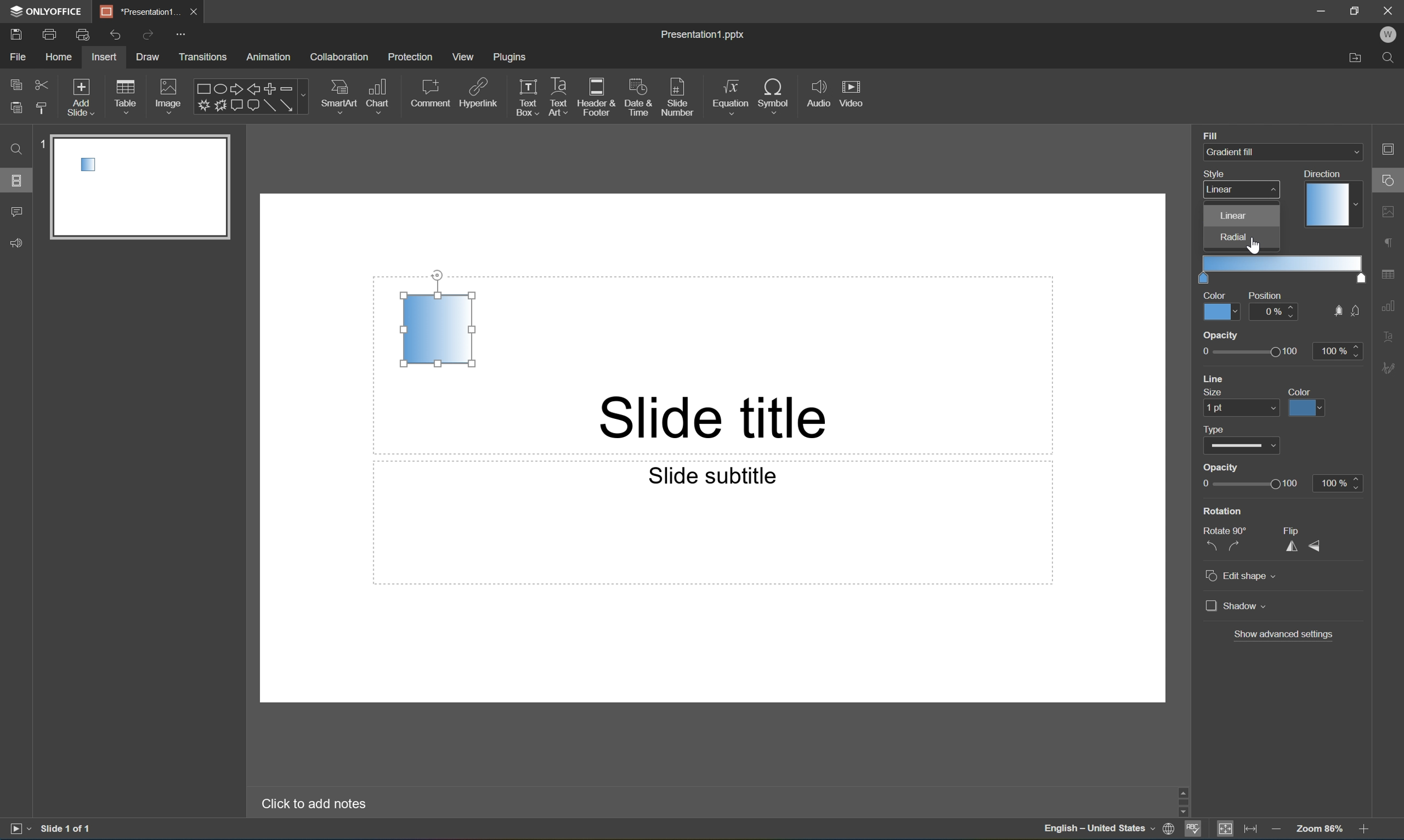  Describe the element at coordinates (1227, 532) in the screenshot. I see `Rotate 90°` at that location.